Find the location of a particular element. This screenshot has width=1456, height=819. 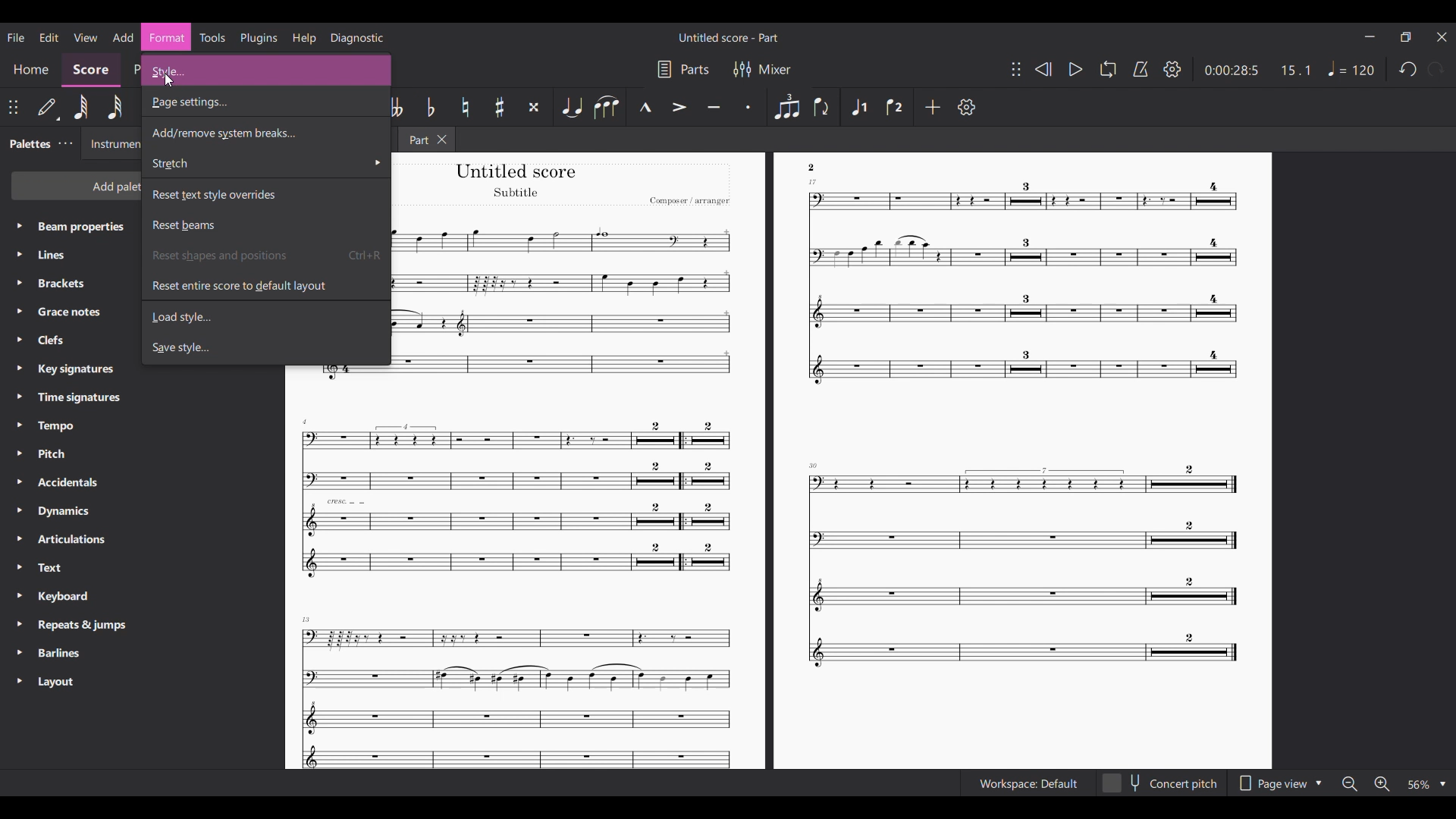

Staccato is located at coordinates (748, 107).